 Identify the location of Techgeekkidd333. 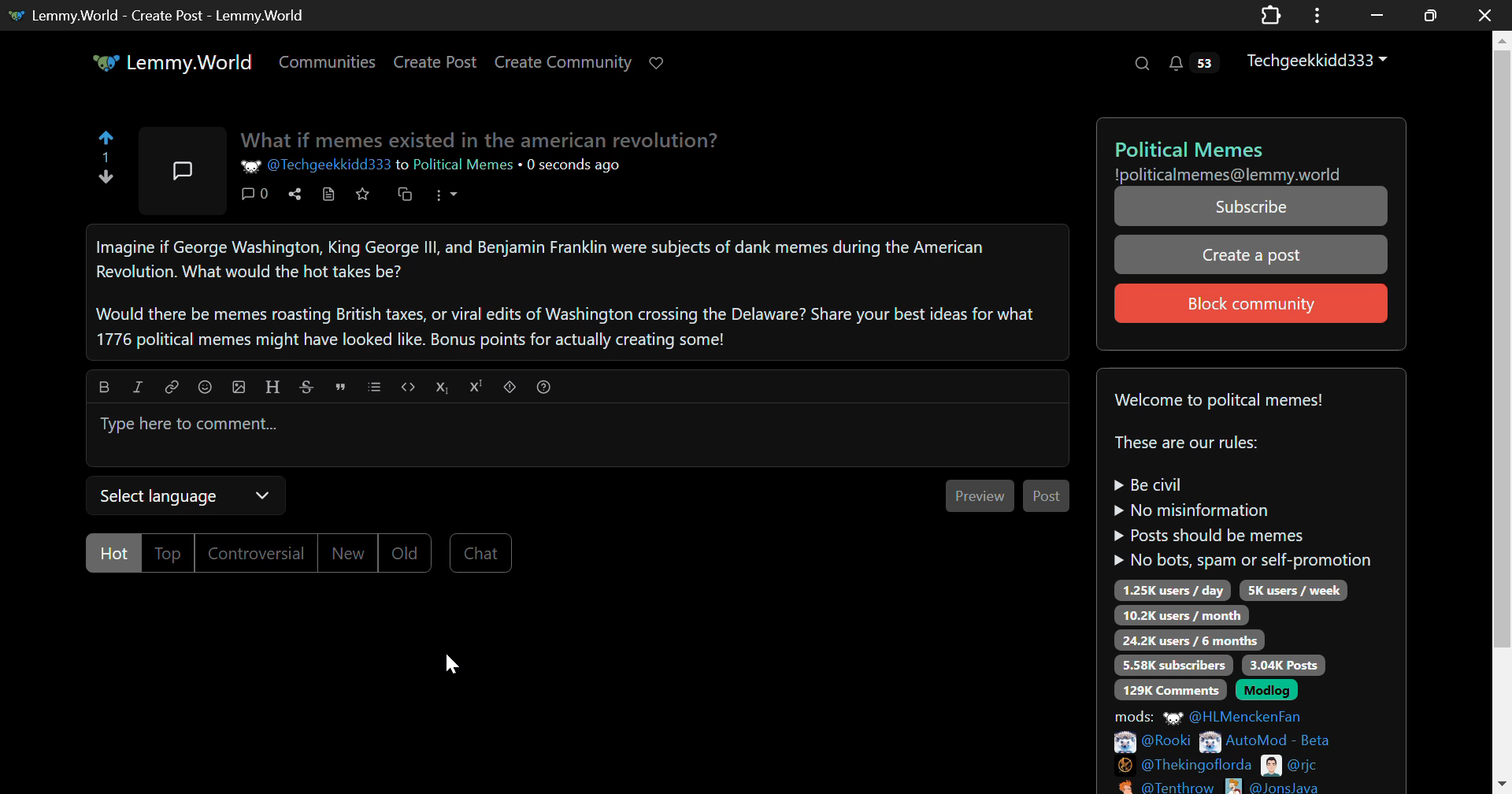
(1317, 61).